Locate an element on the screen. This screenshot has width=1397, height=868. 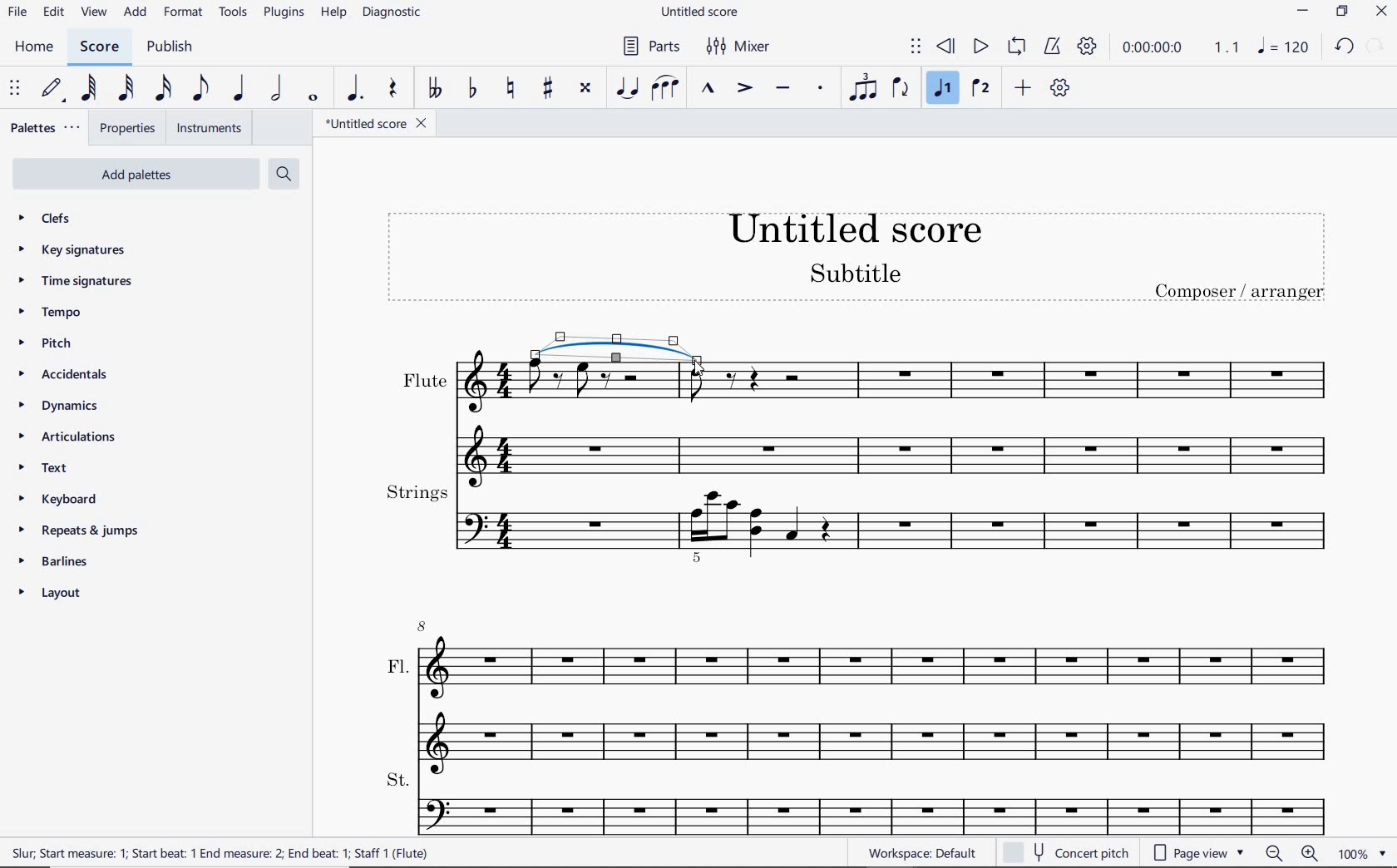
zoom in or zoom out is located at coordinates (1291, 851).